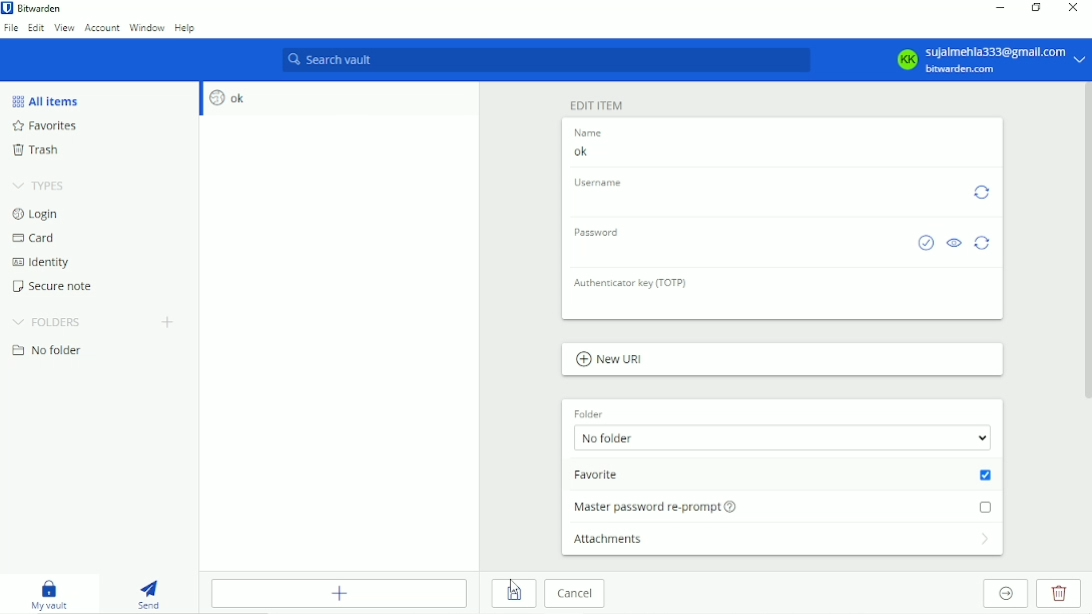 This screenshot has width=1092, height=614. I want to click on Edit, so click(36, 29).